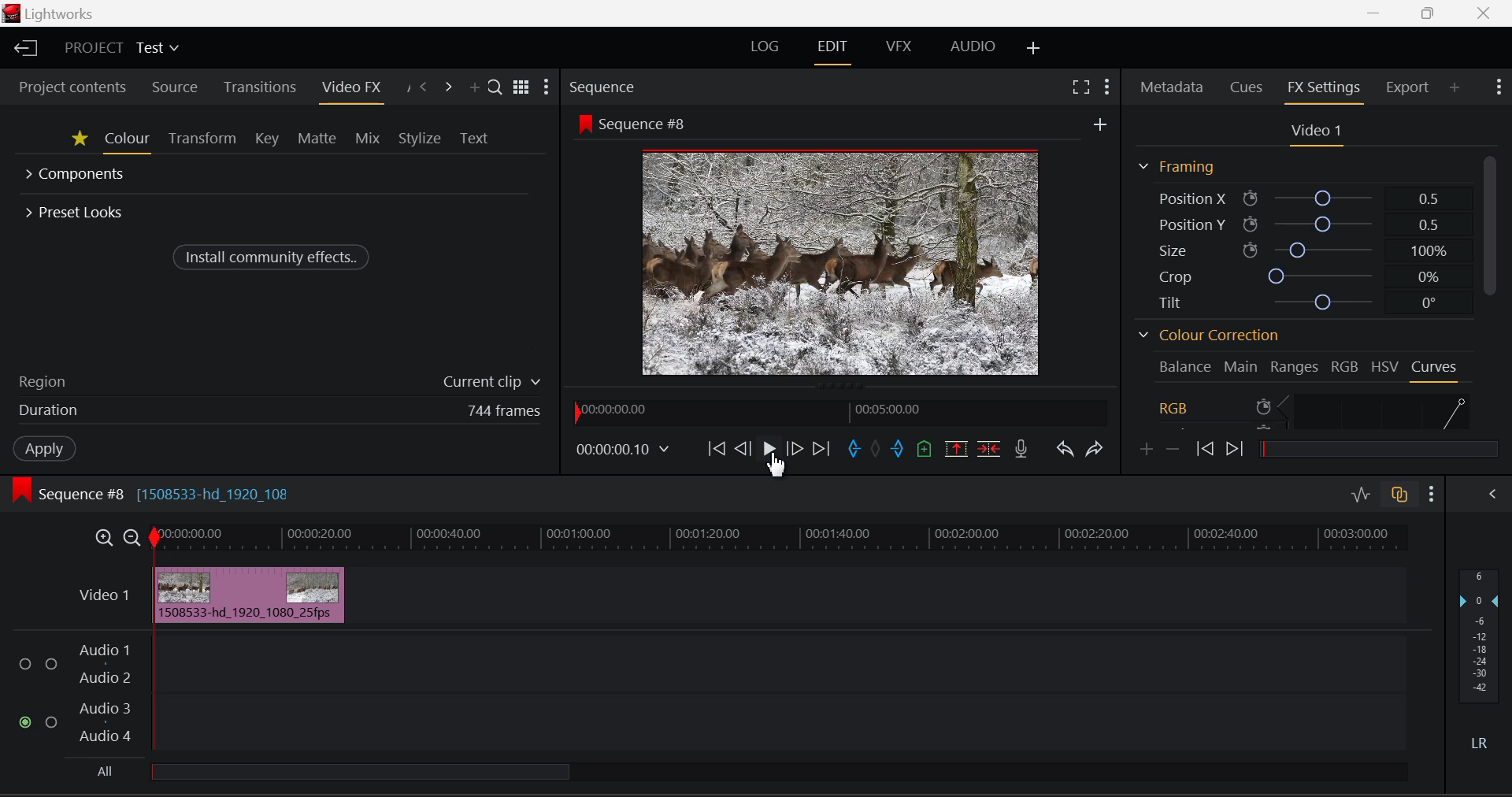  Describe the element at coordinates (419, 137) in the screenshot. I see `Stylize` at that location.